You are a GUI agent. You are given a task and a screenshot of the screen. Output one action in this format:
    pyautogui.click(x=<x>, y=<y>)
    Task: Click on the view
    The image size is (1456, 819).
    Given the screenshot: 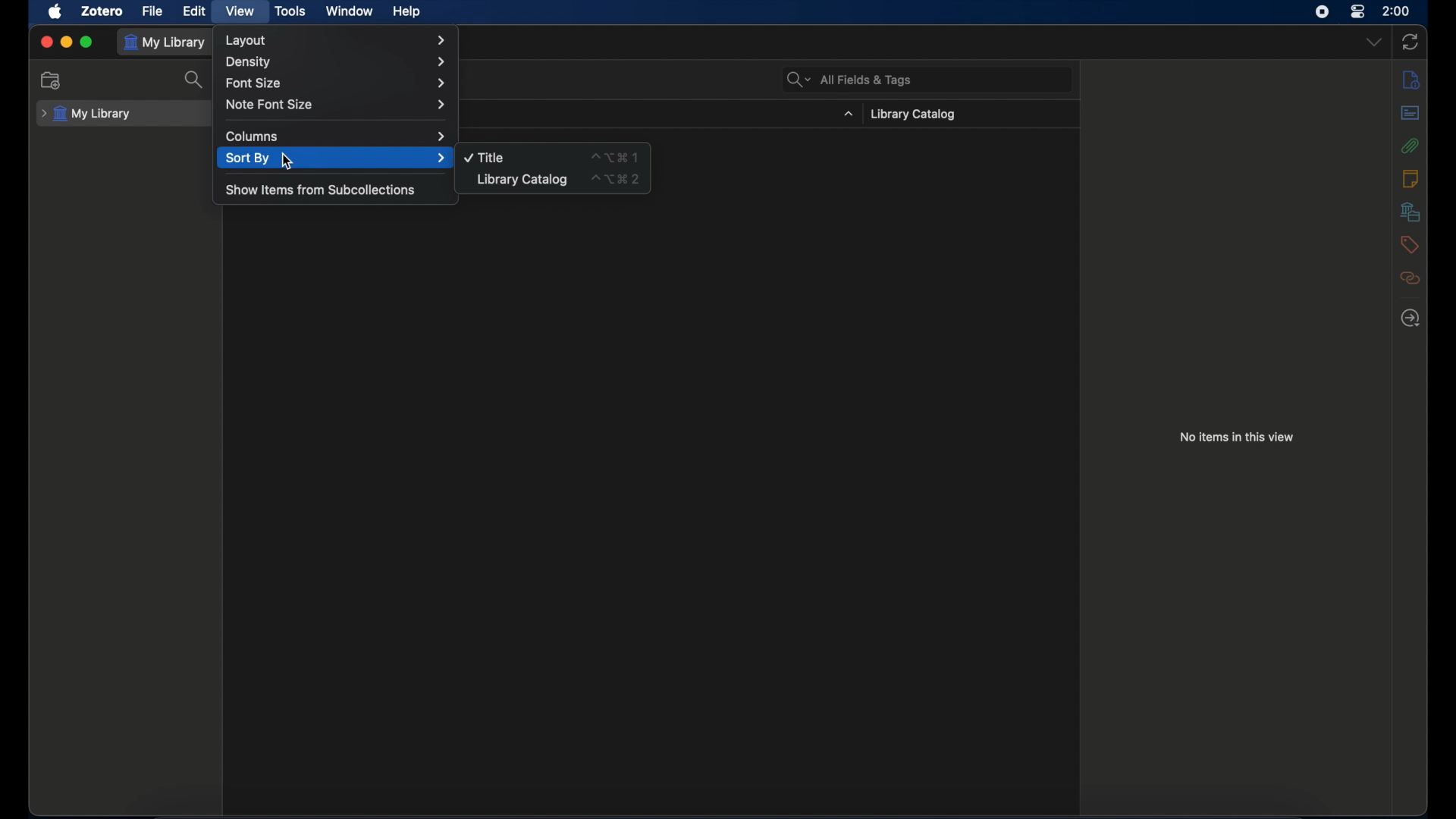 What is the action you would take?
    pyautogui.click(x=242, y=11)
    